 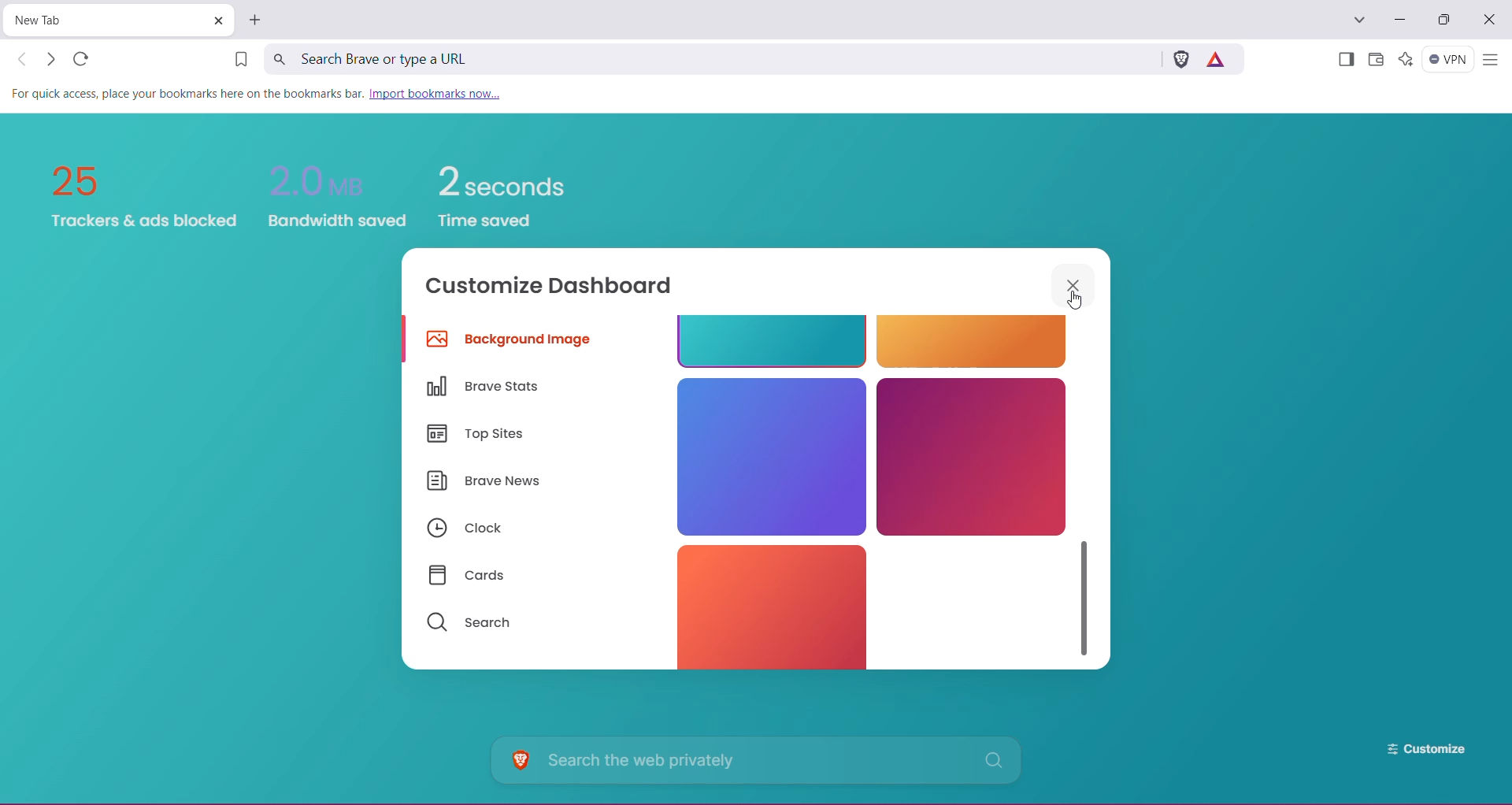 What do you see at coordinates (469, 623) in the screenshot?
I see `Search` at bounding box center [469, 623].